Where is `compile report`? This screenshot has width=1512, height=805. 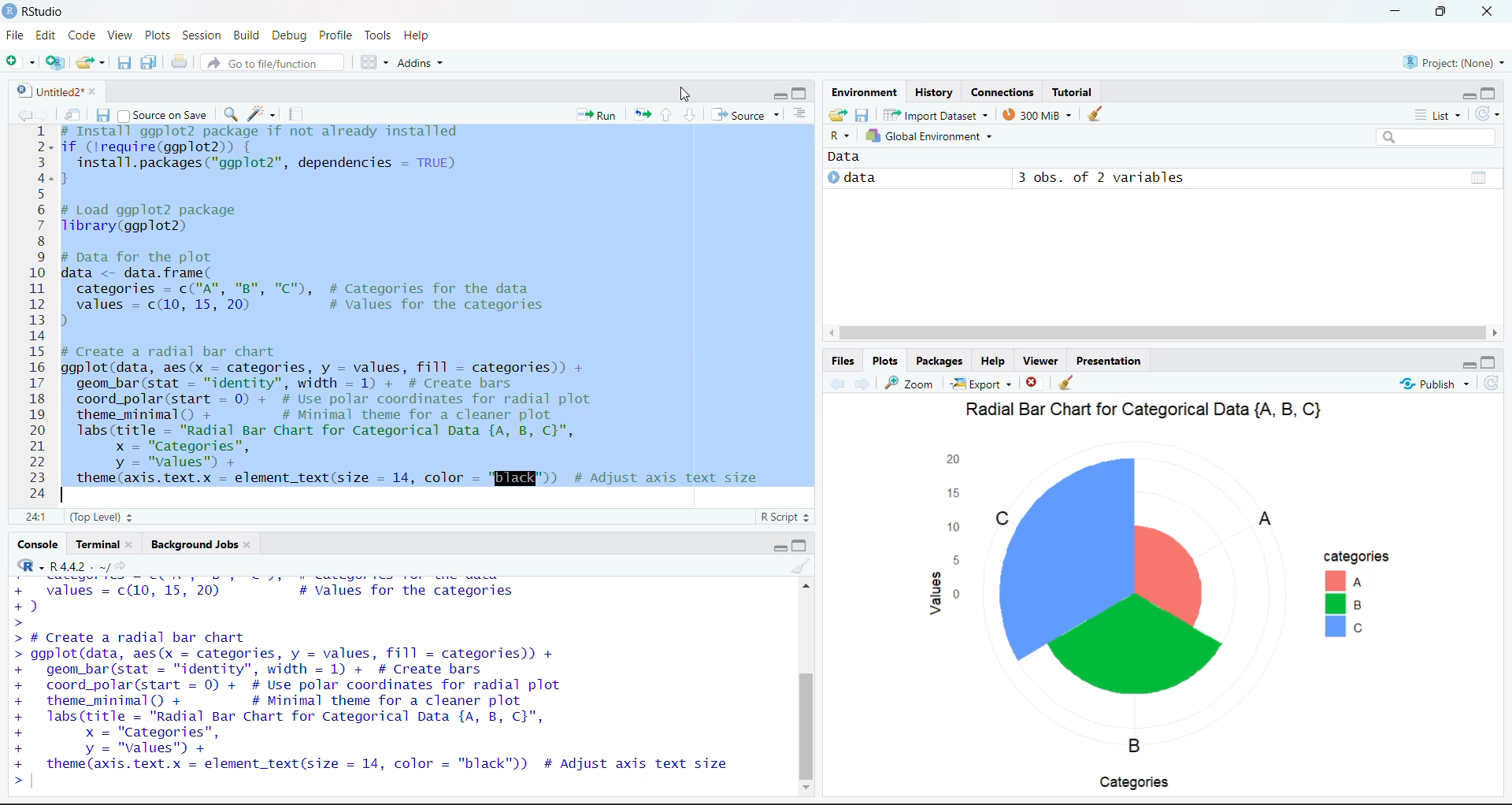
compile report is located at coordinates (291, 116).